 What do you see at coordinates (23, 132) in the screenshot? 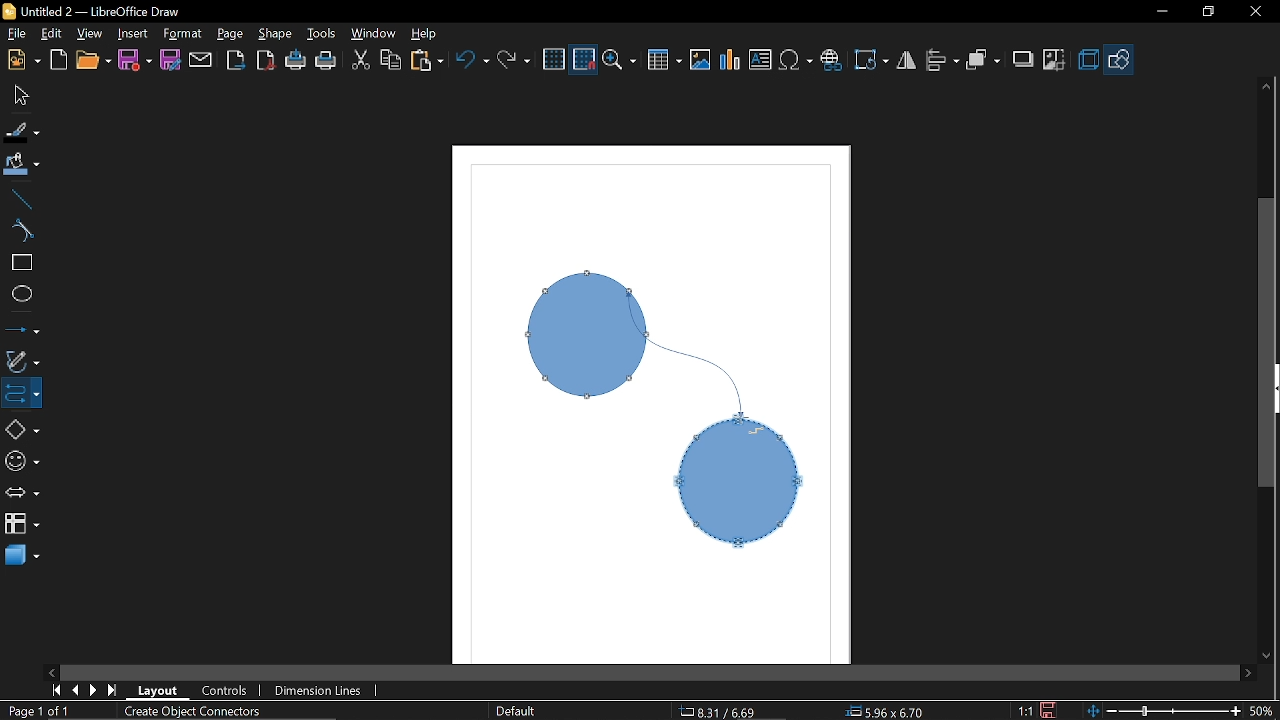
I see `Fill line` at bounding box center [23, 132].